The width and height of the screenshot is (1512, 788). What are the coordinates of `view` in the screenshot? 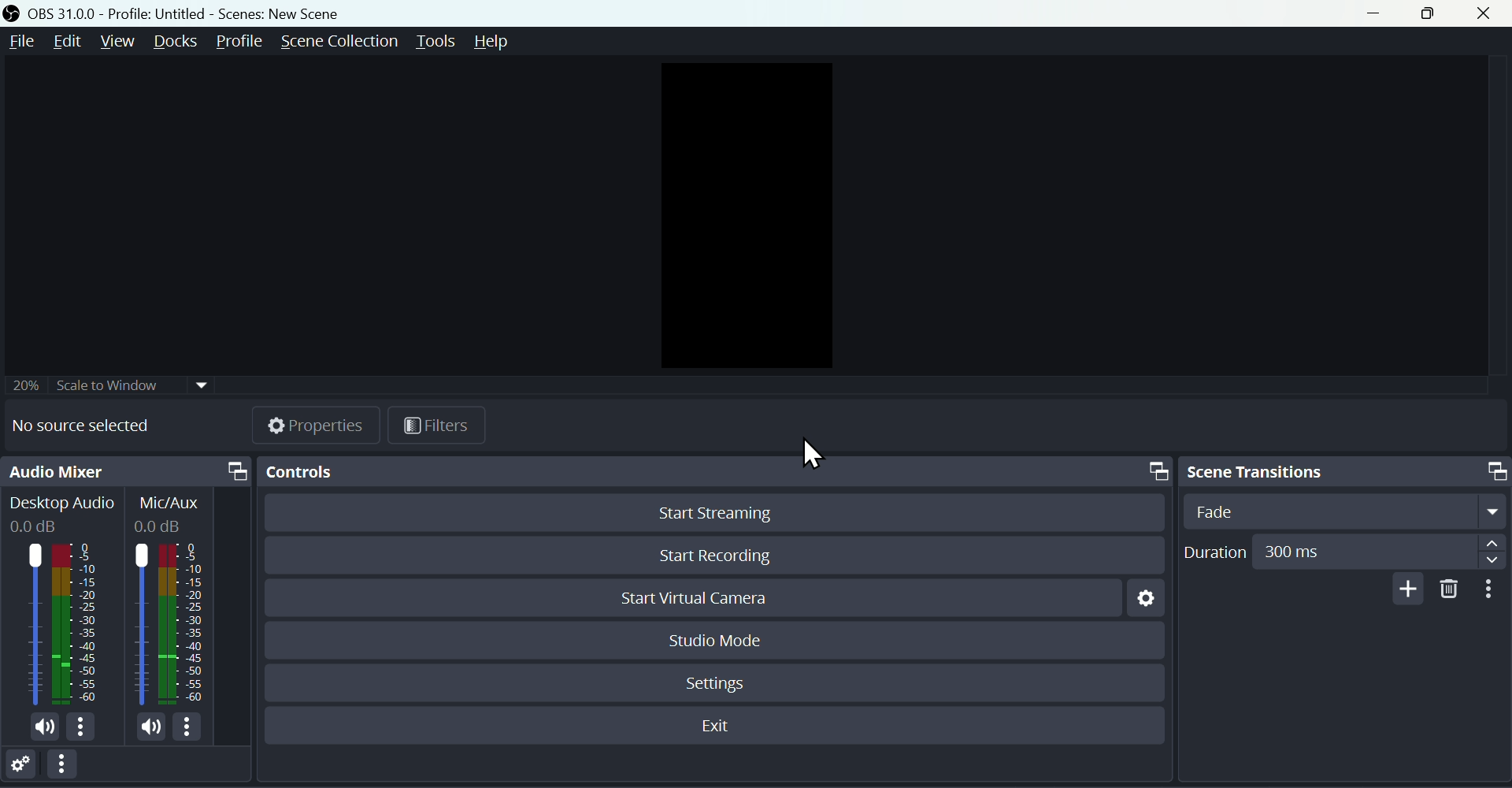 It's located at (119, 40).